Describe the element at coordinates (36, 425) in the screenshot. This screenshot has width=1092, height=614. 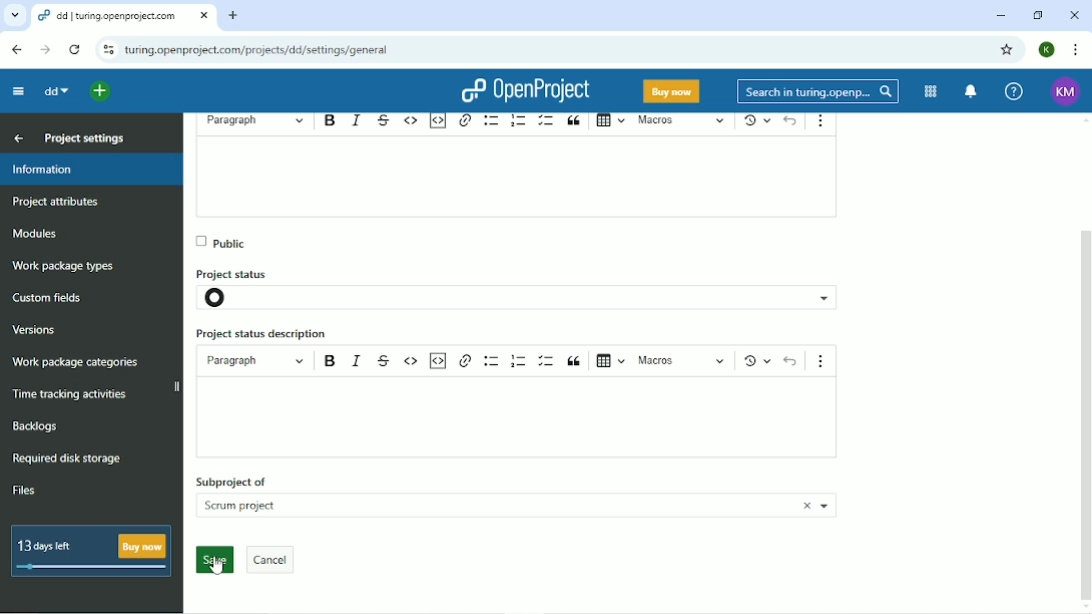
I see `Backlogs` at that location.